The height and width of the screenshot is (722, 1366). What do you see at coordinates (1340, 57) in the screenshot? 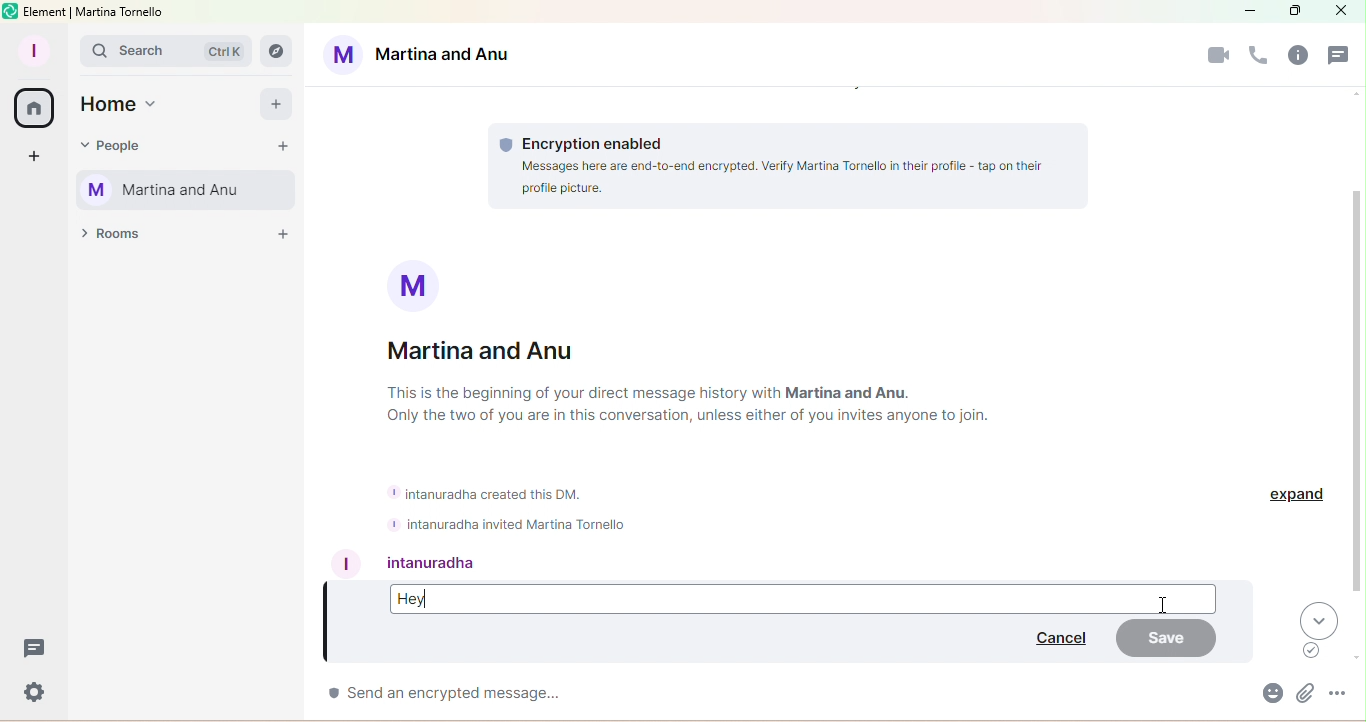
I see `Threads` at bounding box center [1340, 57].